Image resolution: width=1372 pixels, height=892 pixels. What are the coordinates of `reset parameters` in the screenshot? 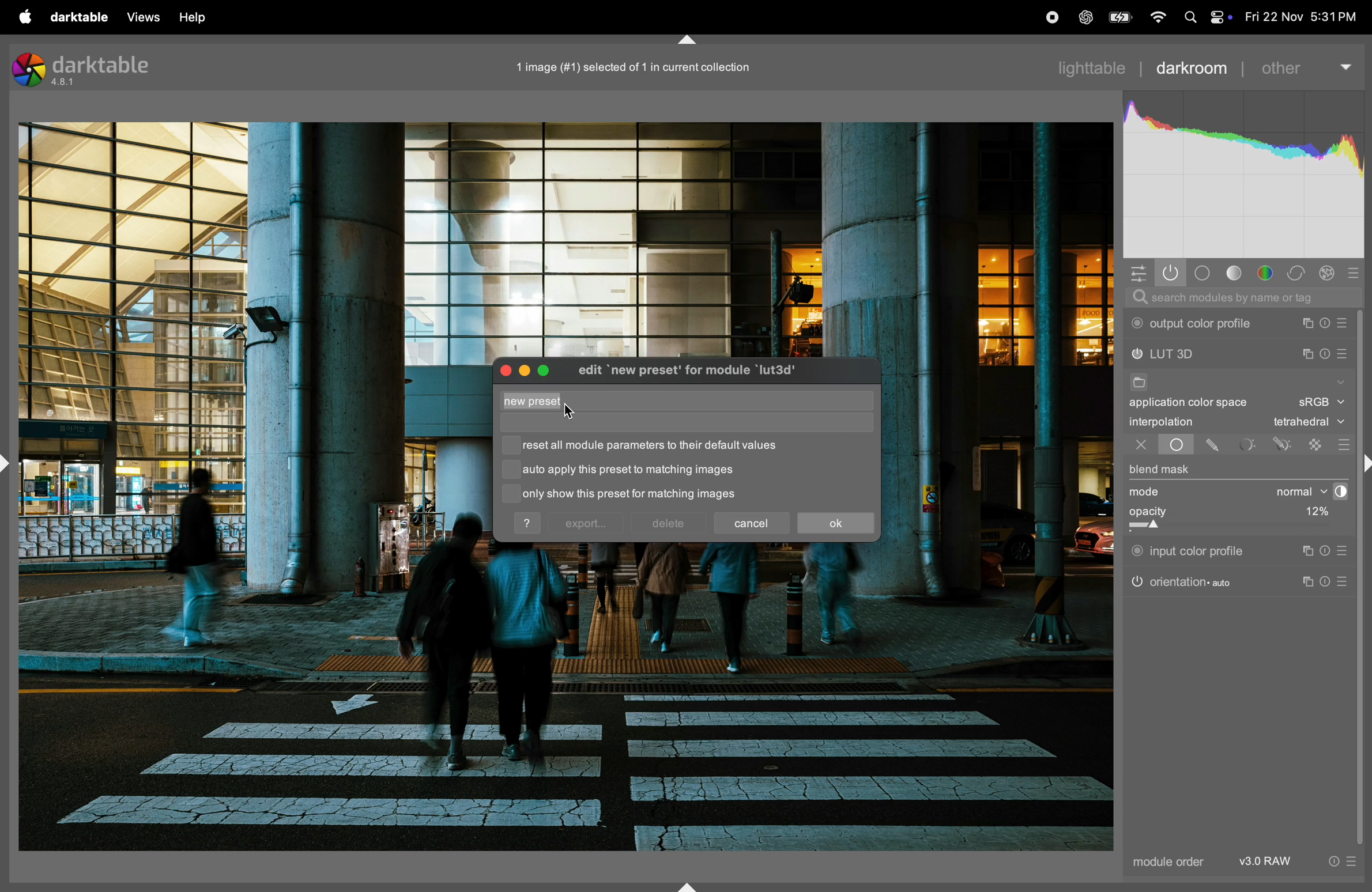 It's located at (1329, 551).